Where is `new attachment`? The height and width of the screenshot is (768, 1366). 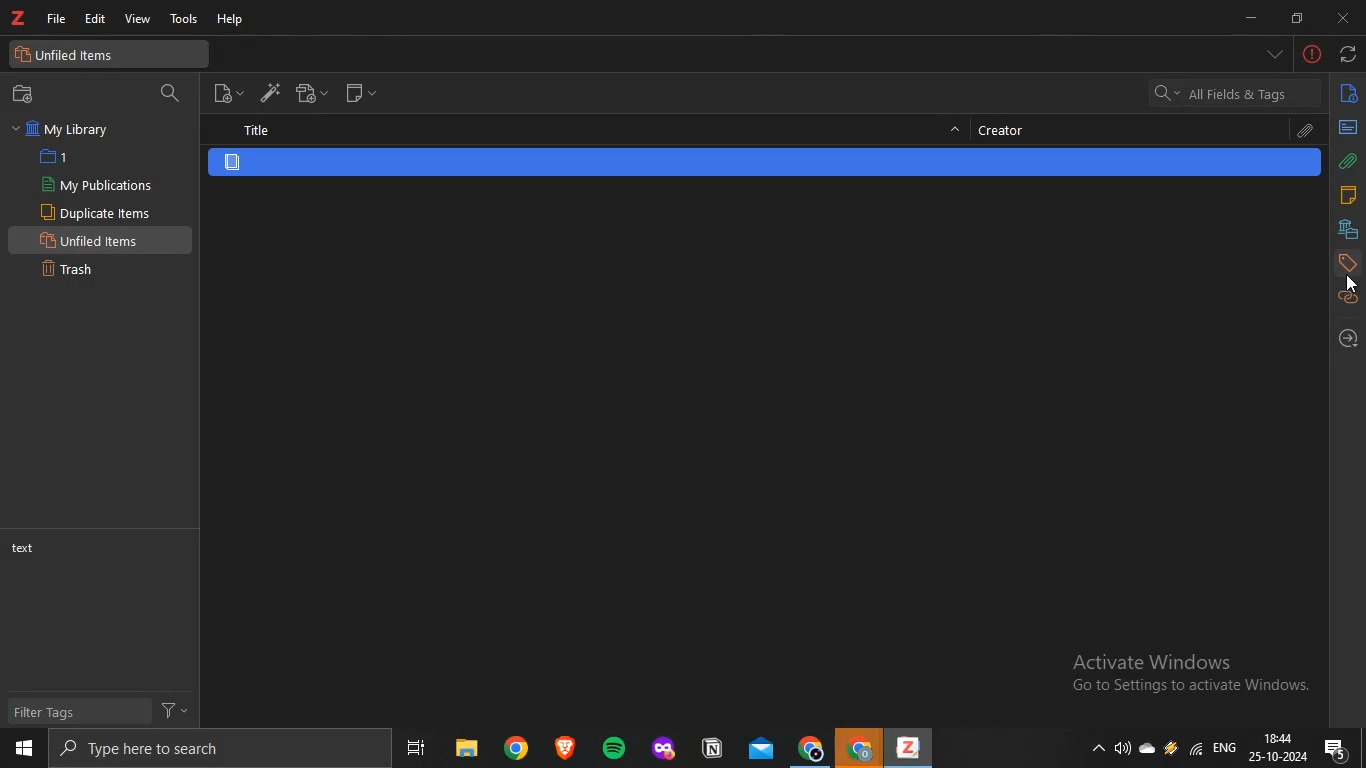 new attachment is located at coordinates (313, 95).